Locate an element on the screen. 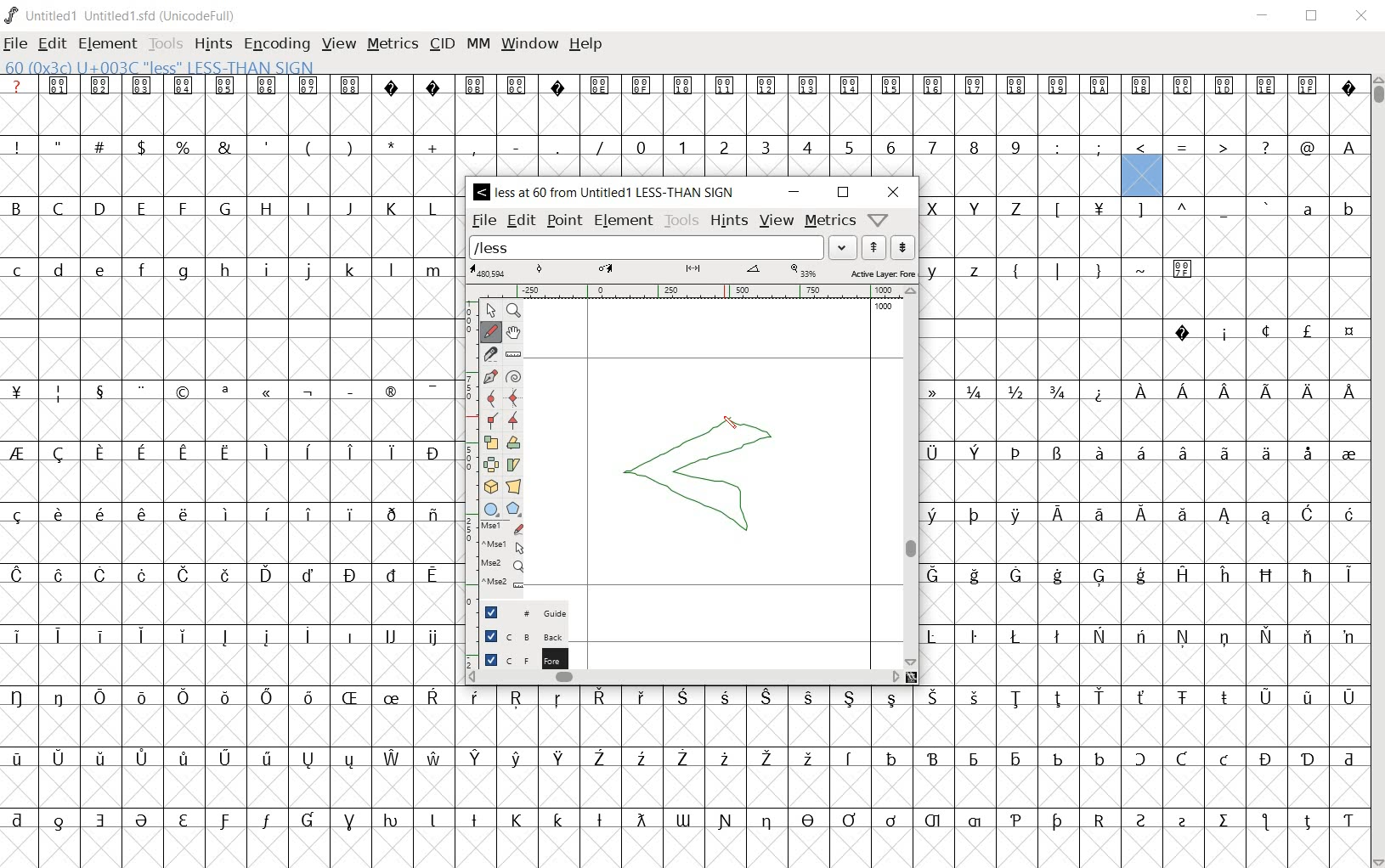 This screenshot has width=1385, height=868. element is located at coordinates (625, 222).